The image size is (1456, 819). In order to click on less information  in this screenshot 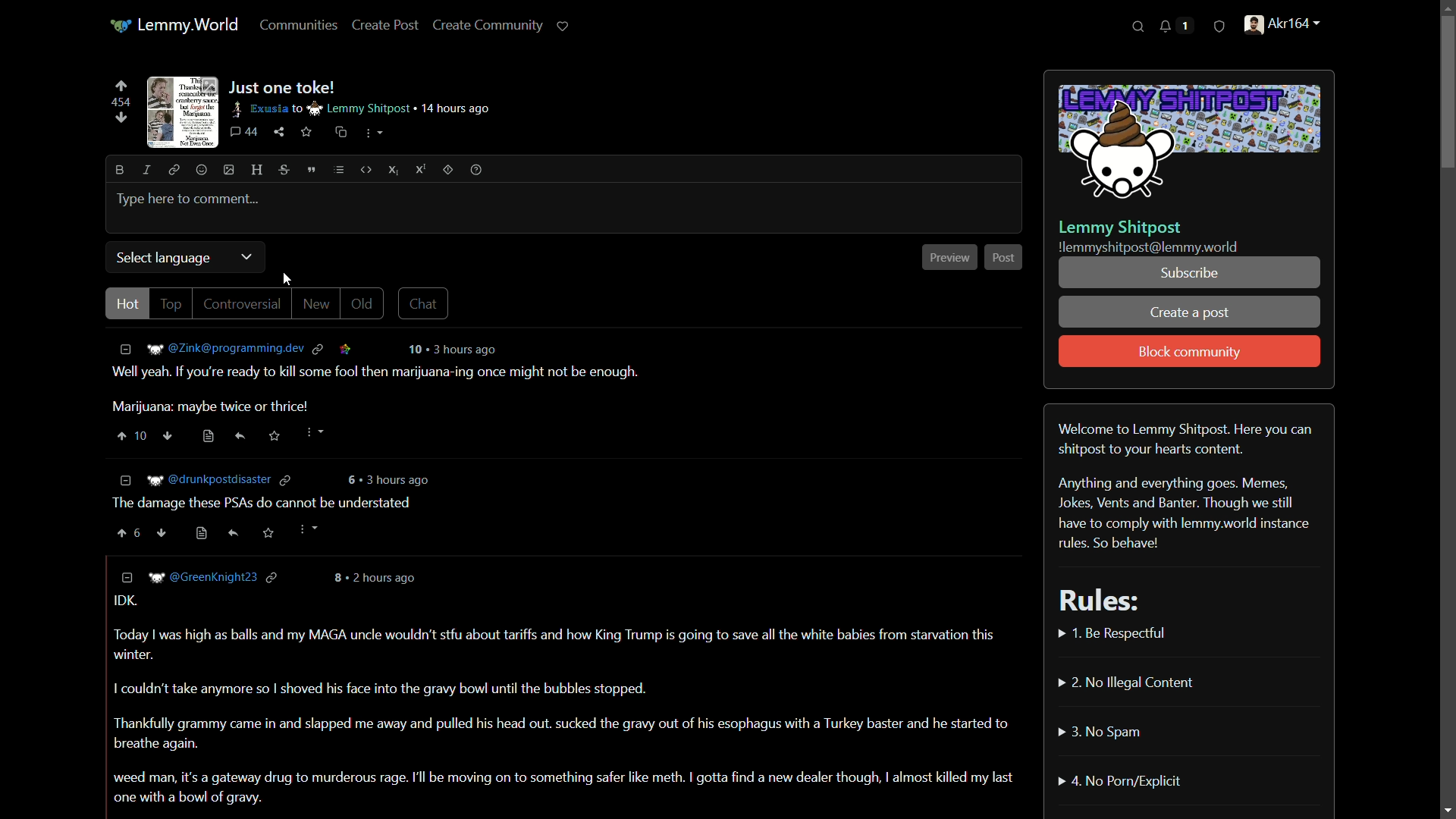, I will do `click(127, 350)`.